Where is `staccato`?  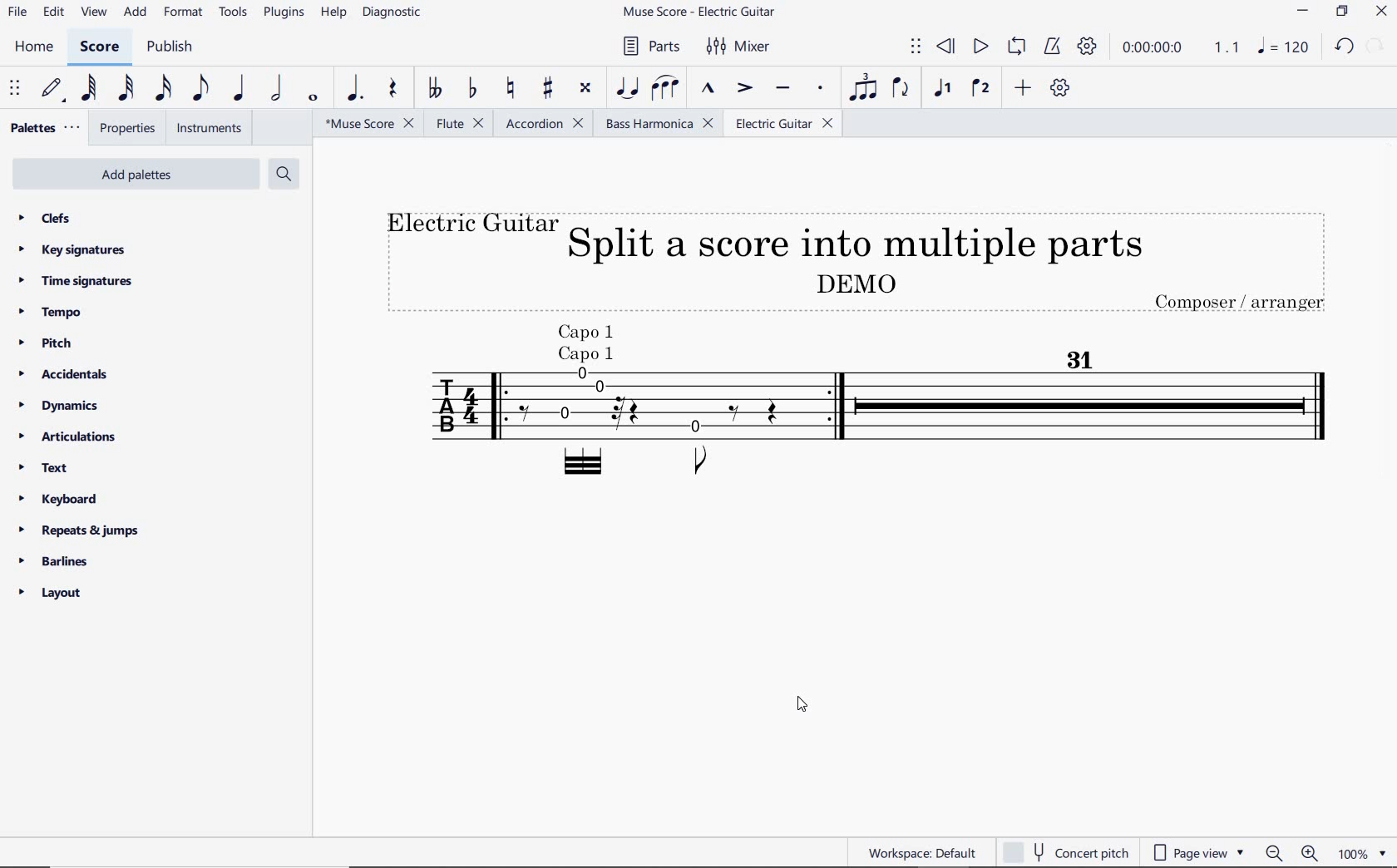 staccato is located at coordinates (822, 88).